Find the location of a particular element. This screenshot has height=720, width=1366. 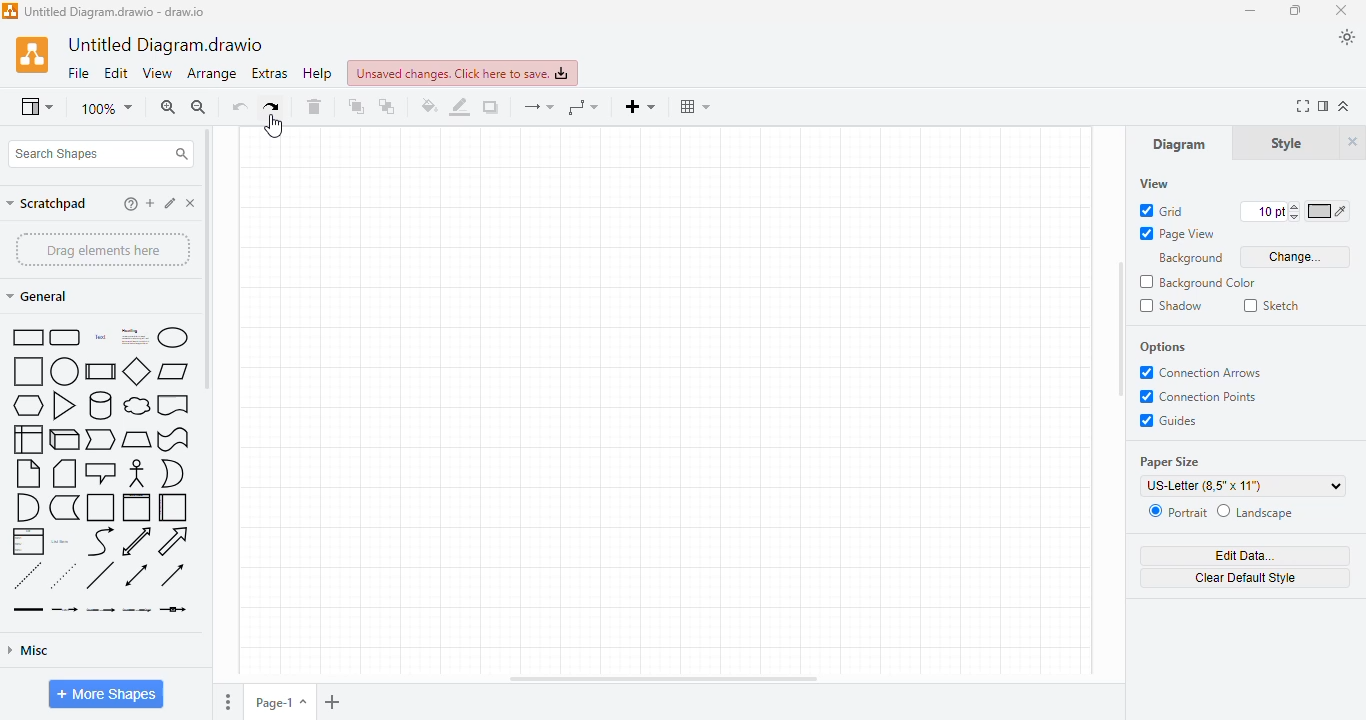

clear default style is located at coordinates (1247, 579).